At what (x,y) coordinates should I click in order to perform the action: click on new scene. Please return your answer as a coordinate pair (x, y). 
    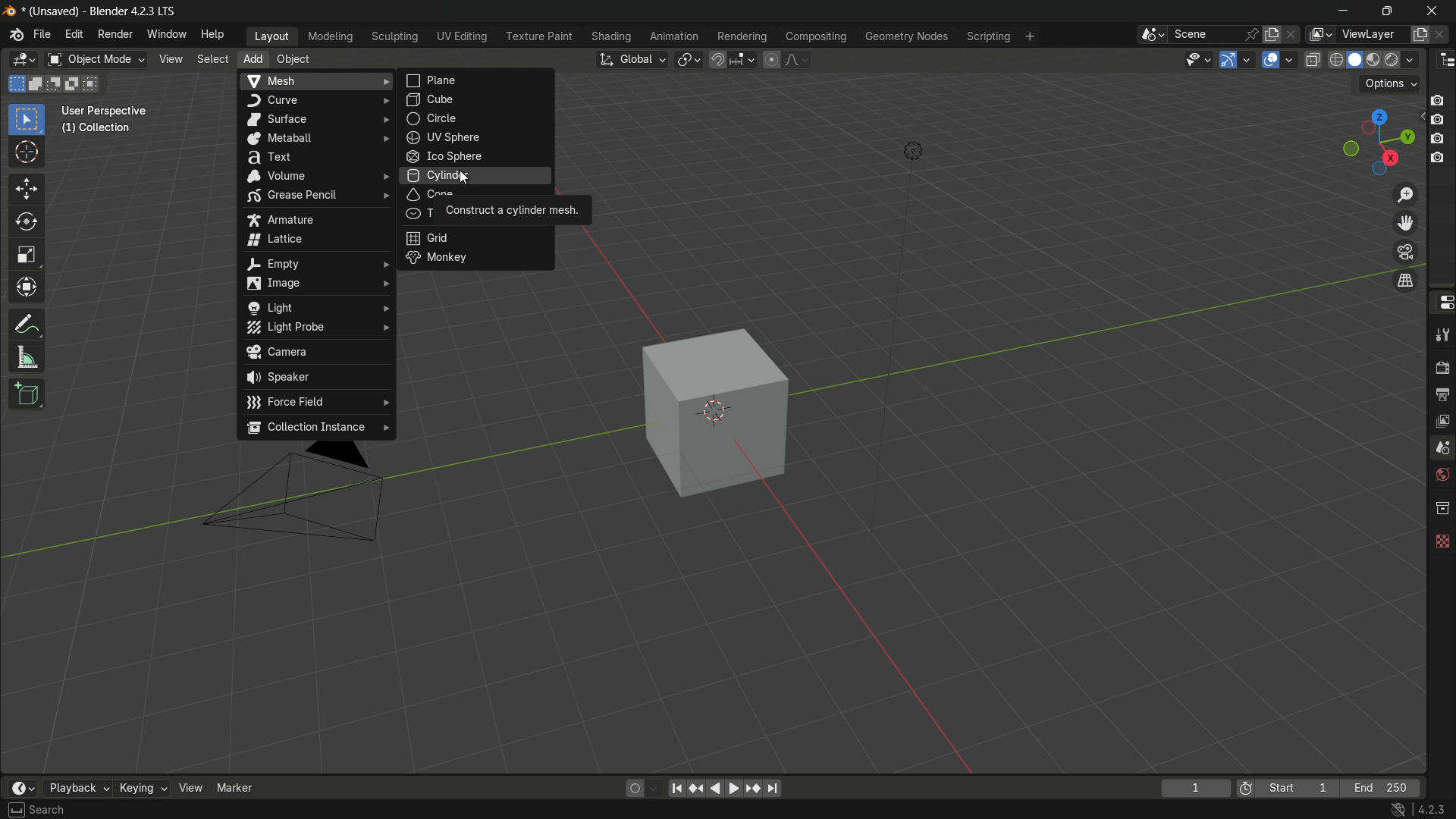
    Looking at the image, I should click on (1272, 34).